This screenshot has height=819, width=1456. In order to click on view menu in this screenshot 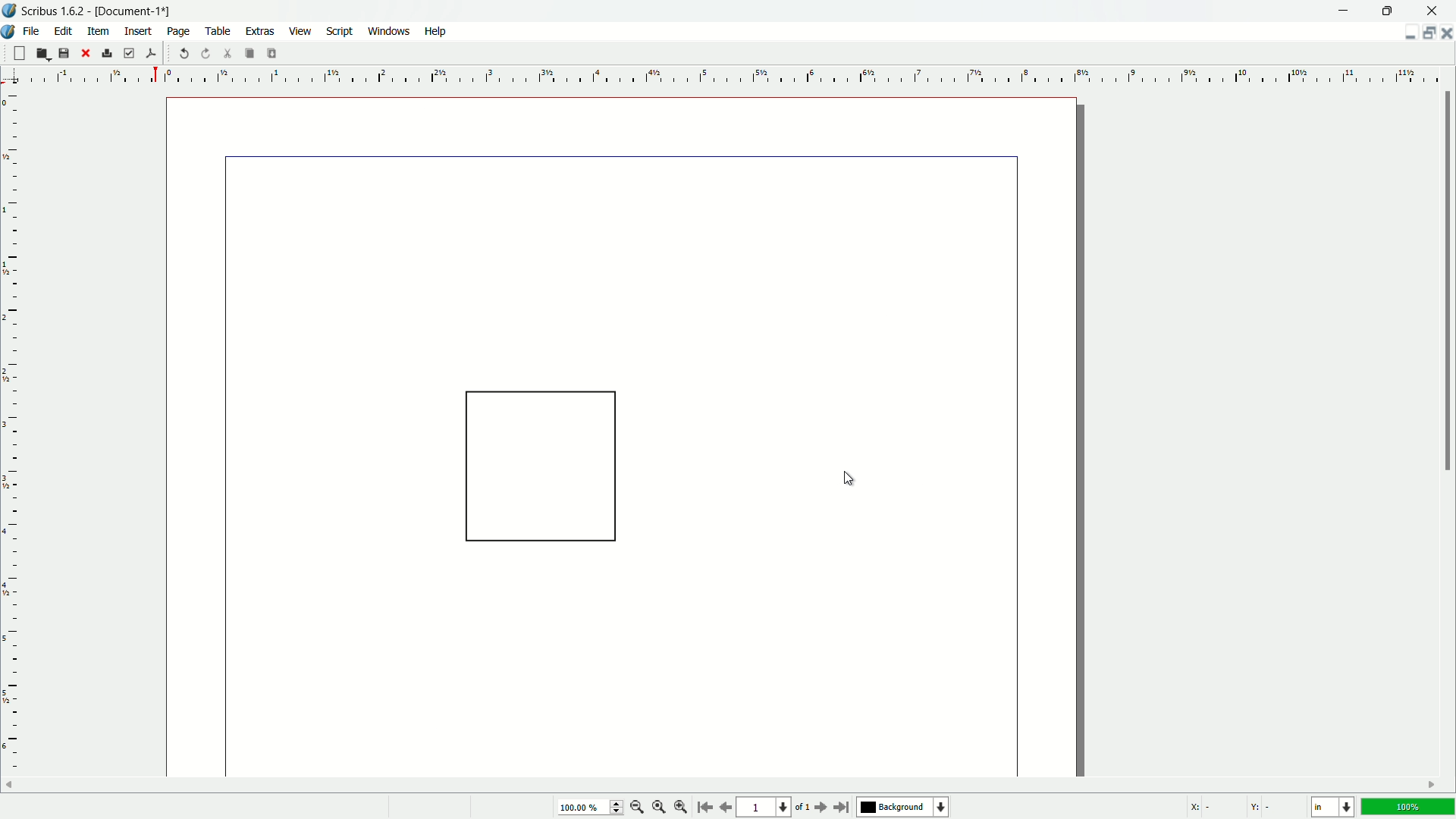, I will do `click(301, 32)`.